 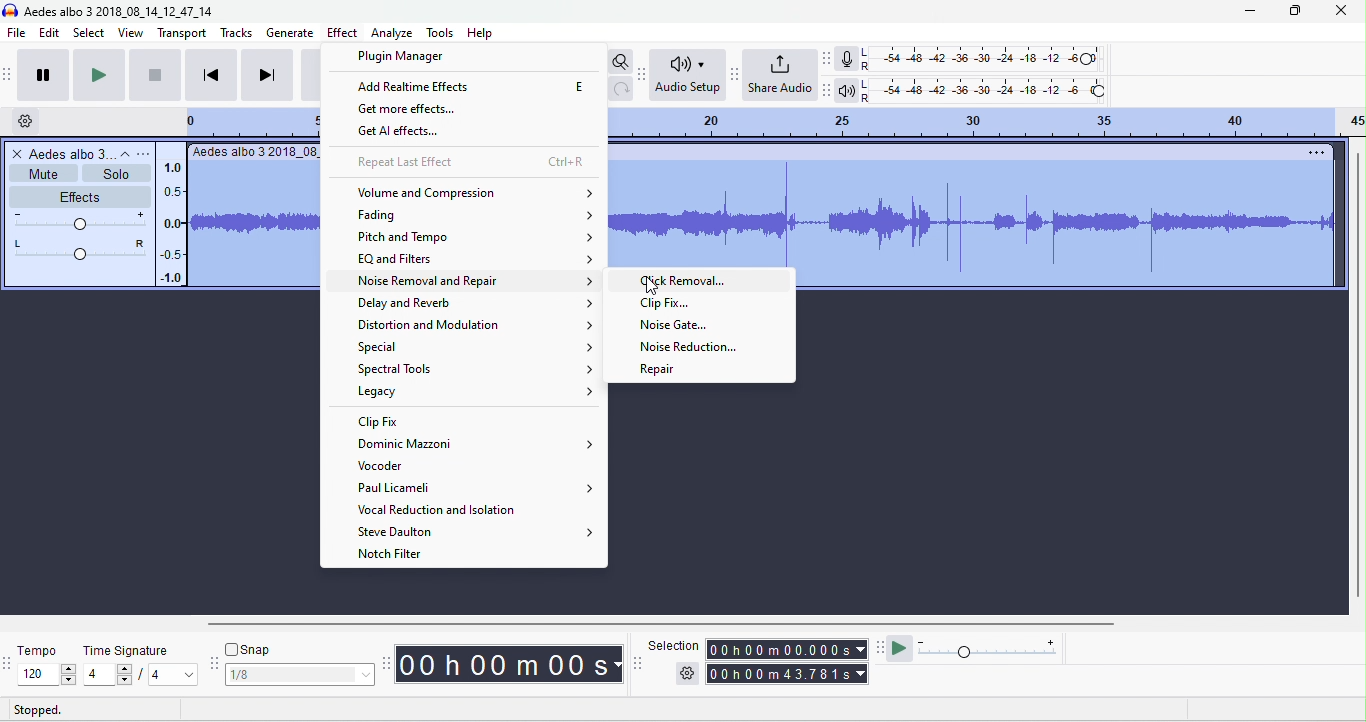 What do you see at coordinates (673, 644) in the screenshot?
I see `selection` at bounding box center [673, 644].